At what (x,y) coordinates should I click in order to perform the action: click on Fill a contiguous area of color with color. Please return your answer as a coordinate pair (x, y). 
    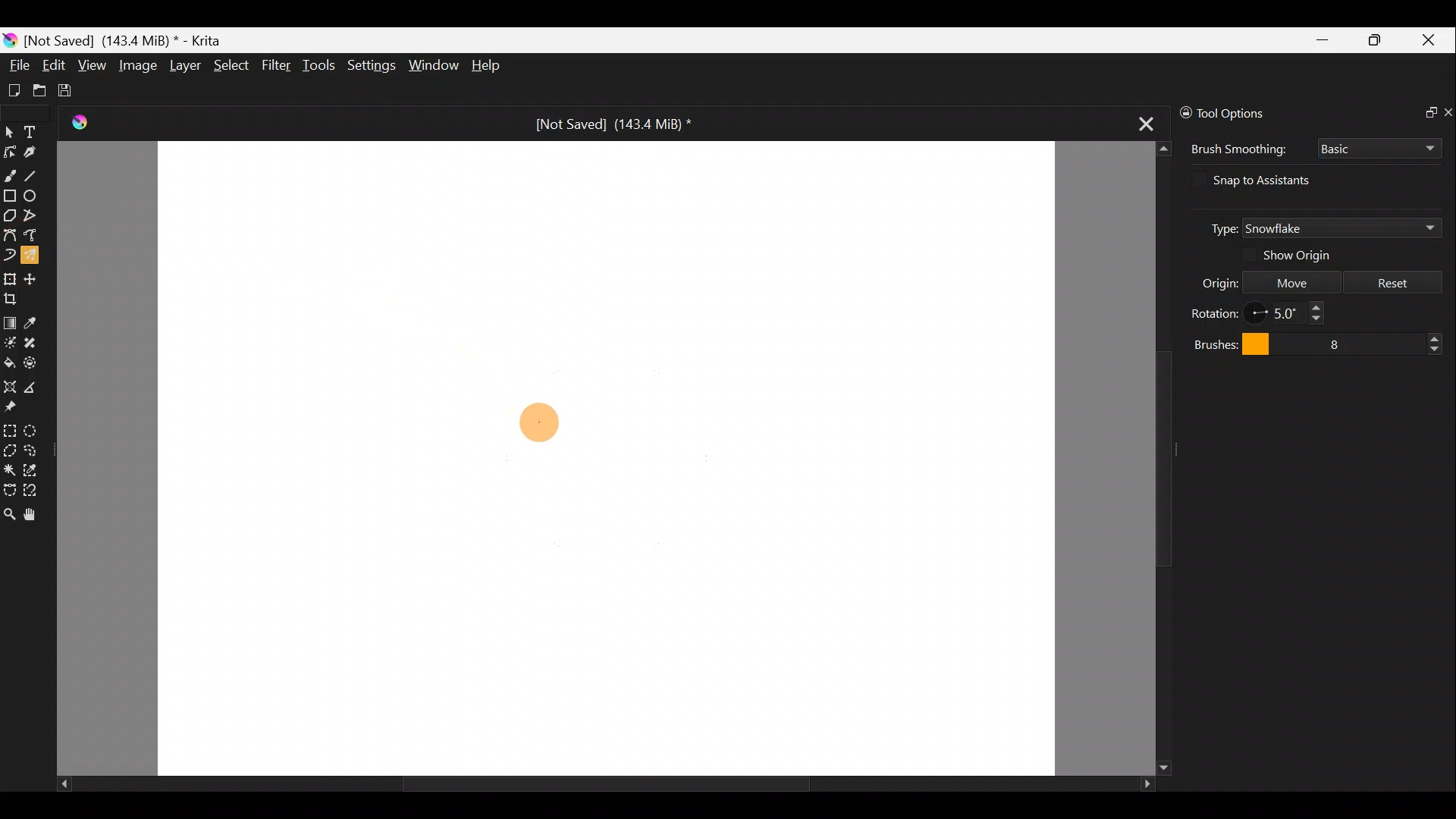
    Looking at the image, I should click on (9, 362).